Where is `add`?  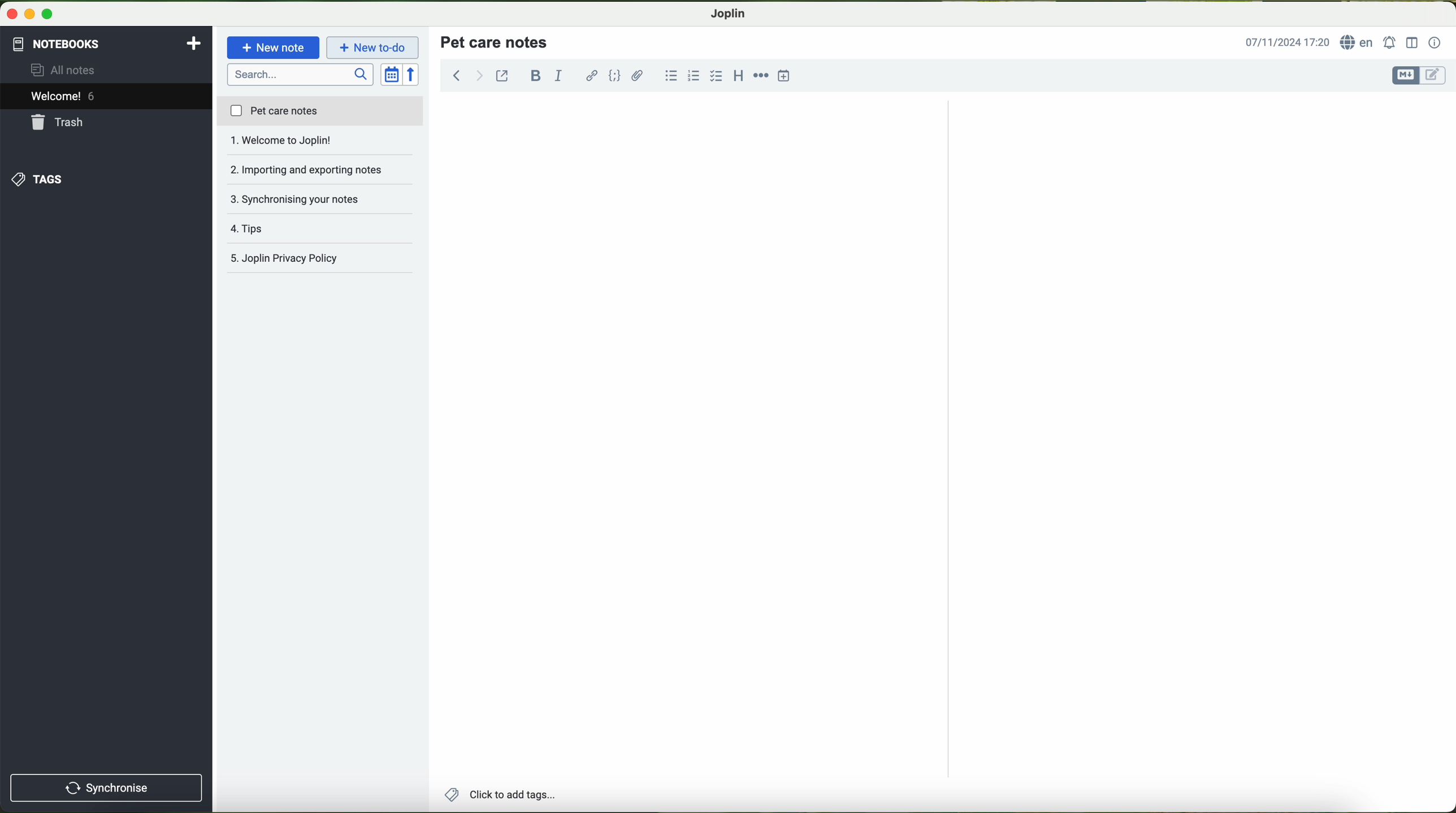
add is located at coordinates (194, 42).